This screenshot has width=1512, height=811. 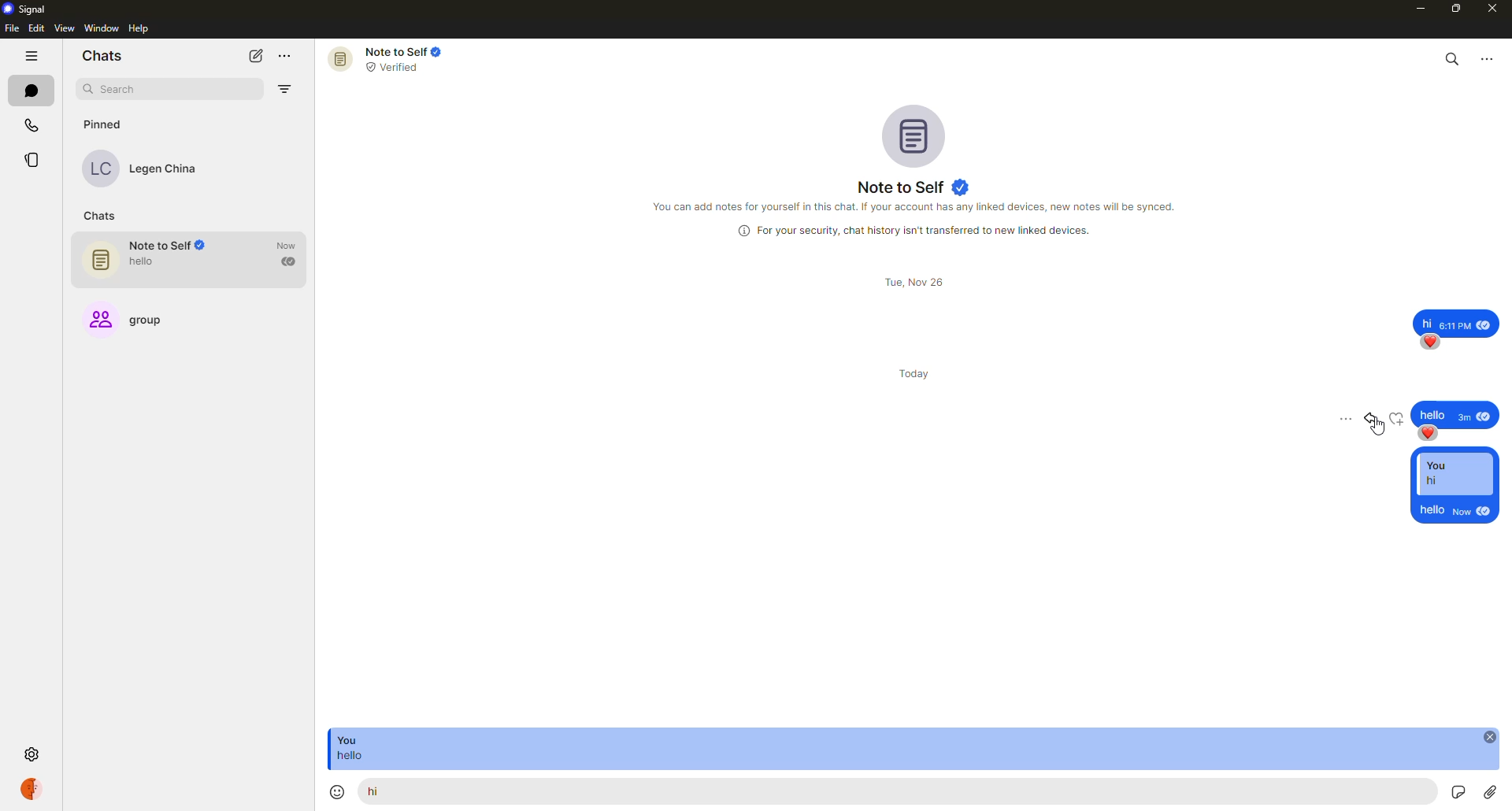 What do you see at coordinates (337, 791) in the screenshot?
I see `emoji` at bounding box center [337, 791].